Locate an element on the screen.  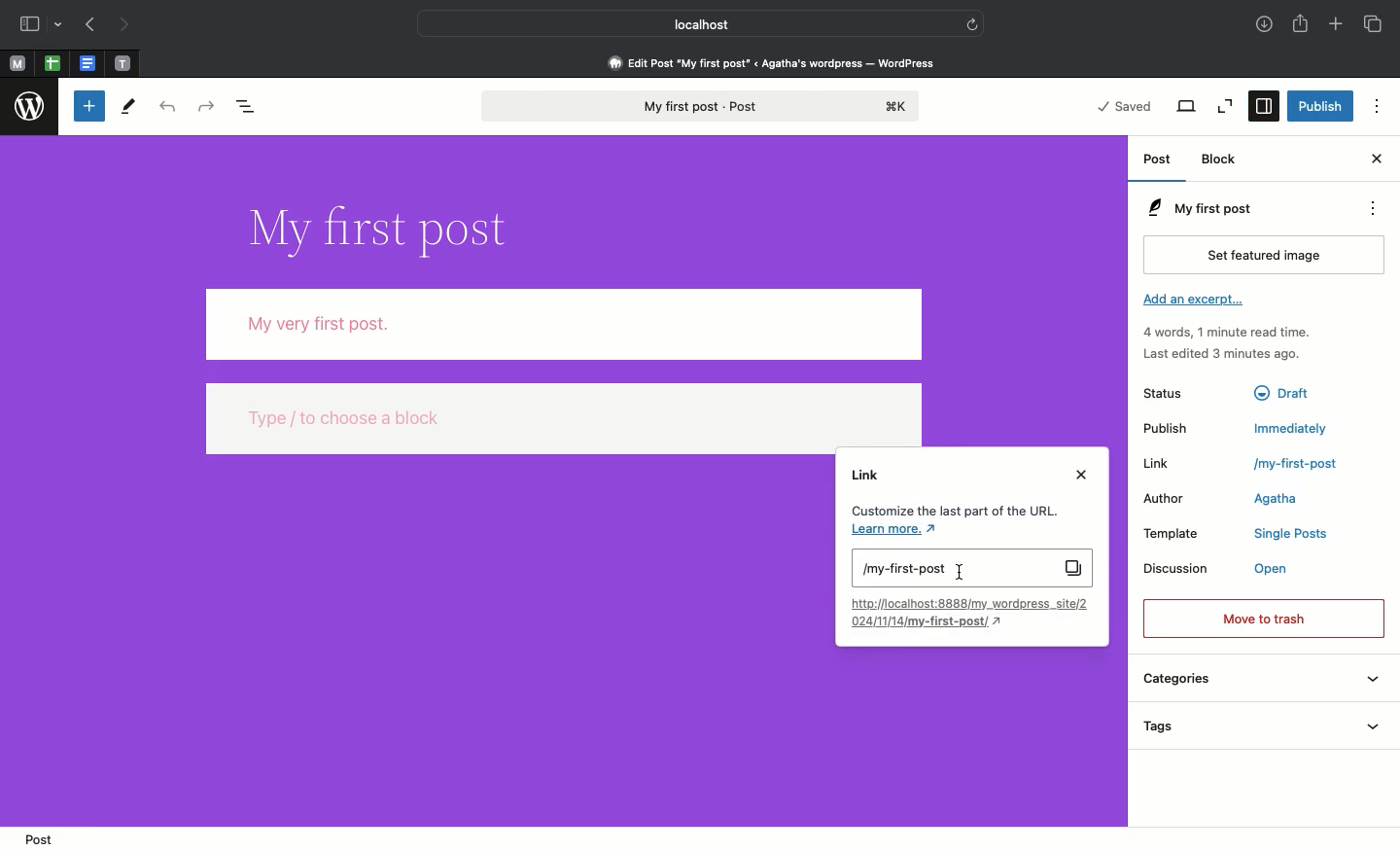
Status is located at coordinates (1163, 392).